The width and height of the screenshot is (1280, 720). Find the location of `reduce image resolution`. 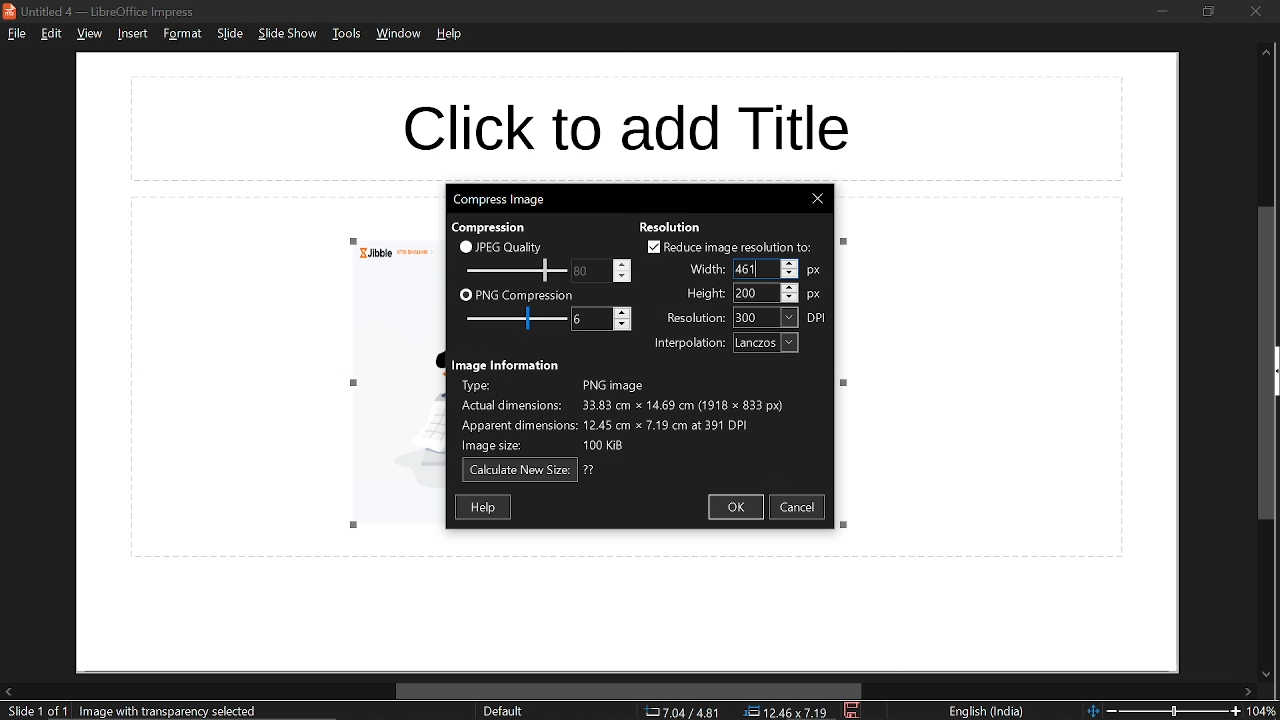

reduce image resolution is located at coordinates (740, 247).